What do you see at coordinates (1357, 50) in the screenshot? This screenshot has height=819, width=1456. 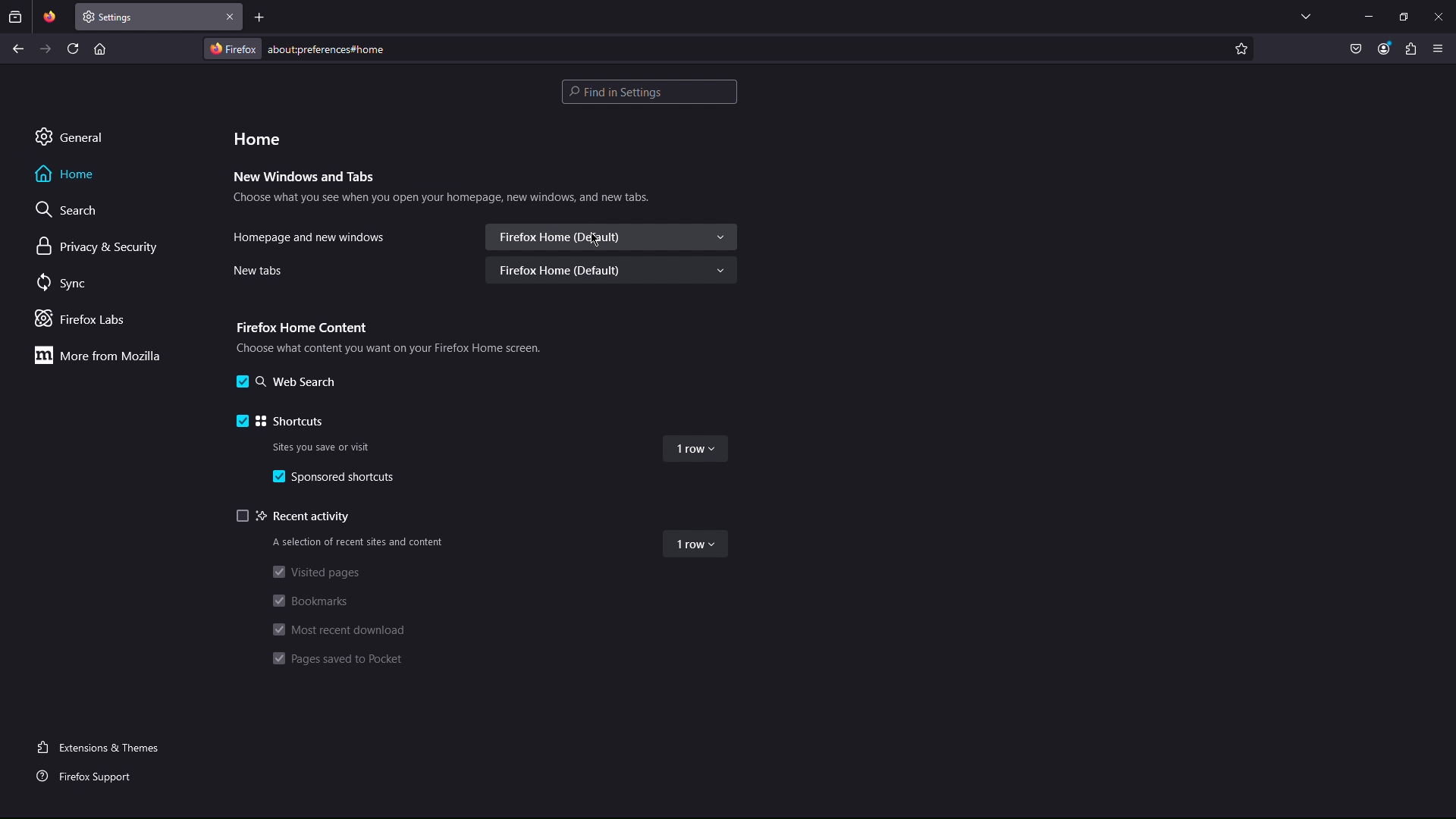 I see `Pocket` at bounding box center [1357, 50].